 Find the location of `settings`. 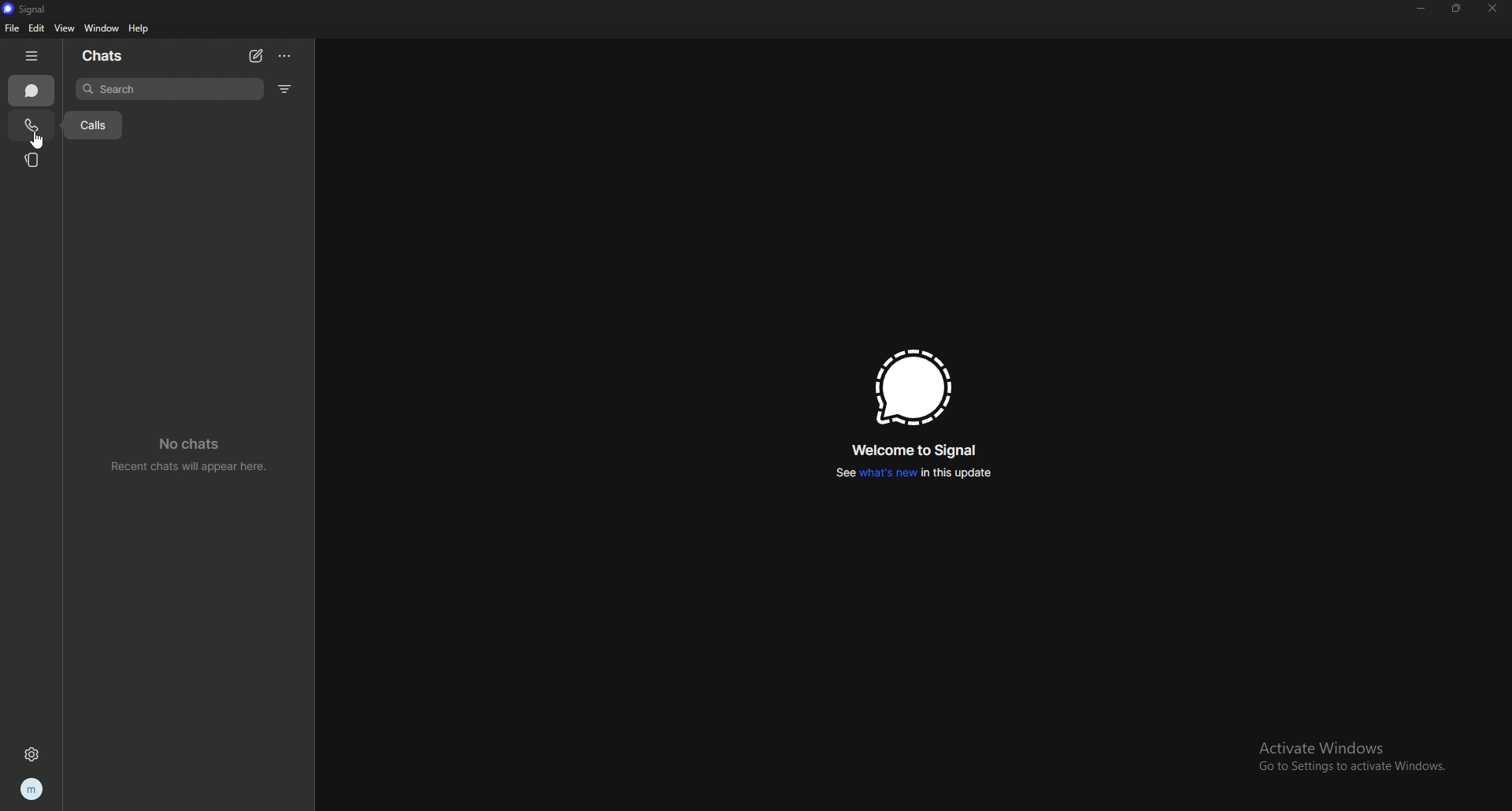

settings is located at coordinates (31, 754).